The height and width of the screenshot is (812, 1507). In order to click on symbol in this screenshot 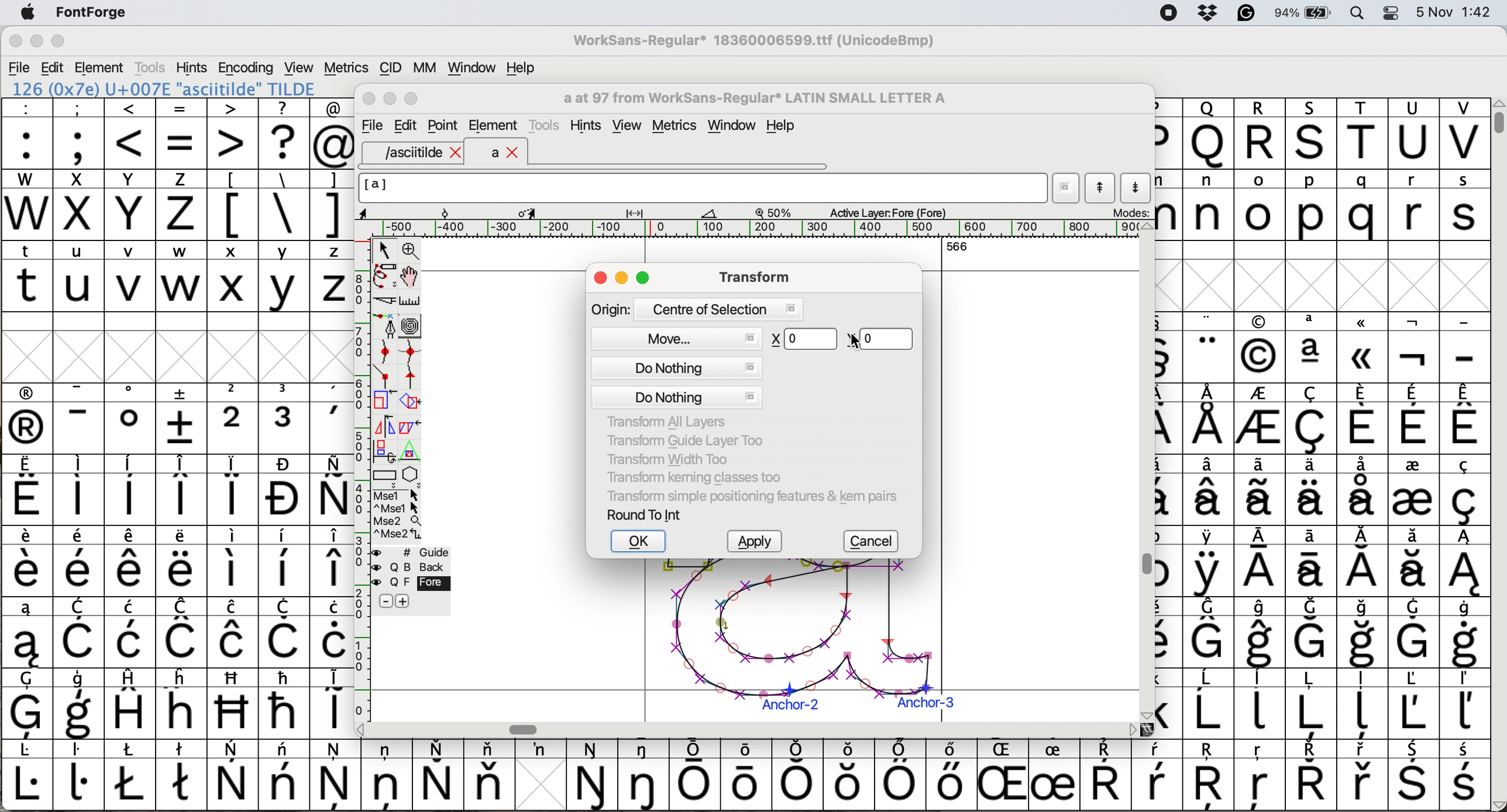, I will do `click(1412, 703)`.